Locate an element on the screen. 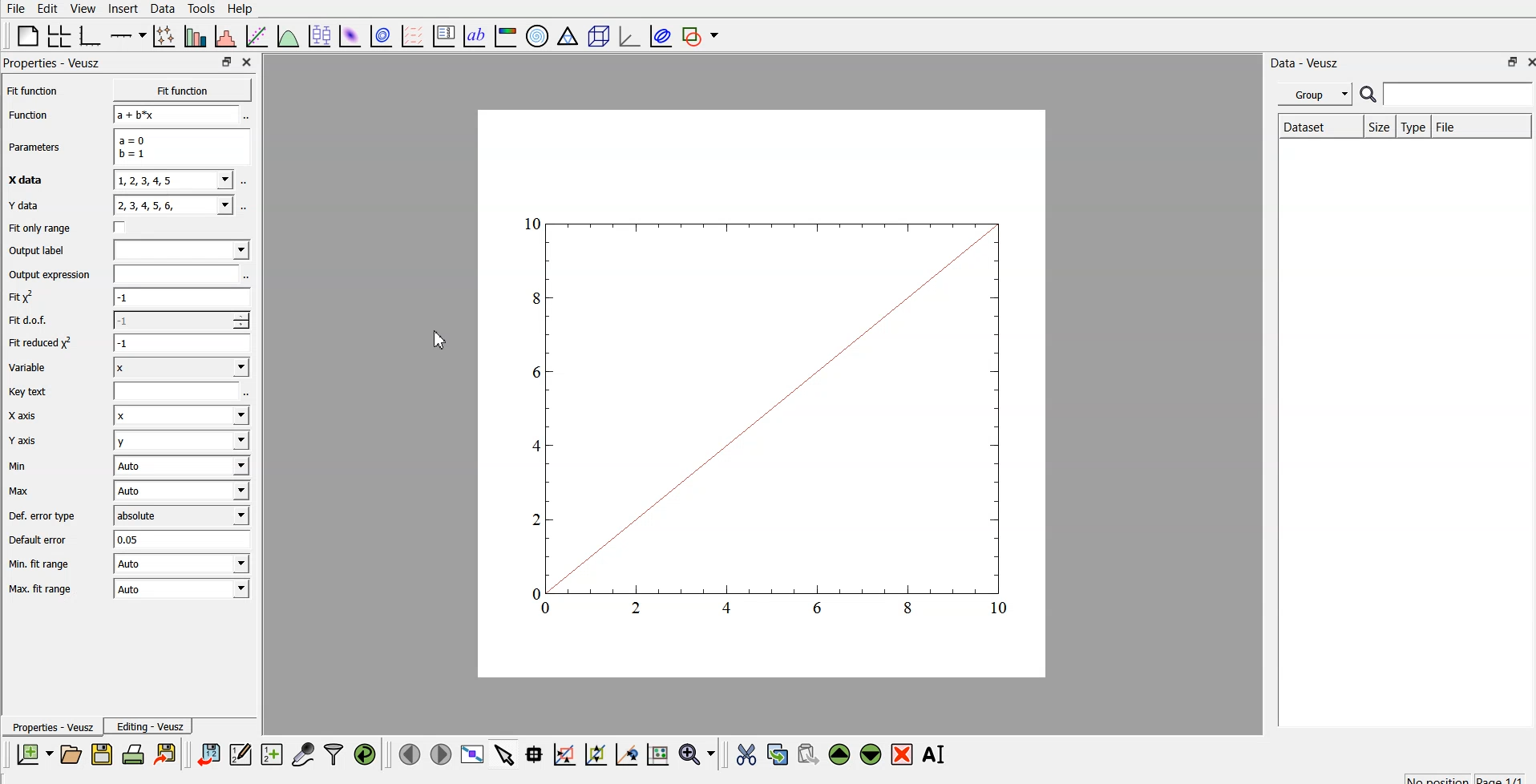 Image resolution: width=1536 pixels, height=784 pixels. y is located at coordinates (183, 440).